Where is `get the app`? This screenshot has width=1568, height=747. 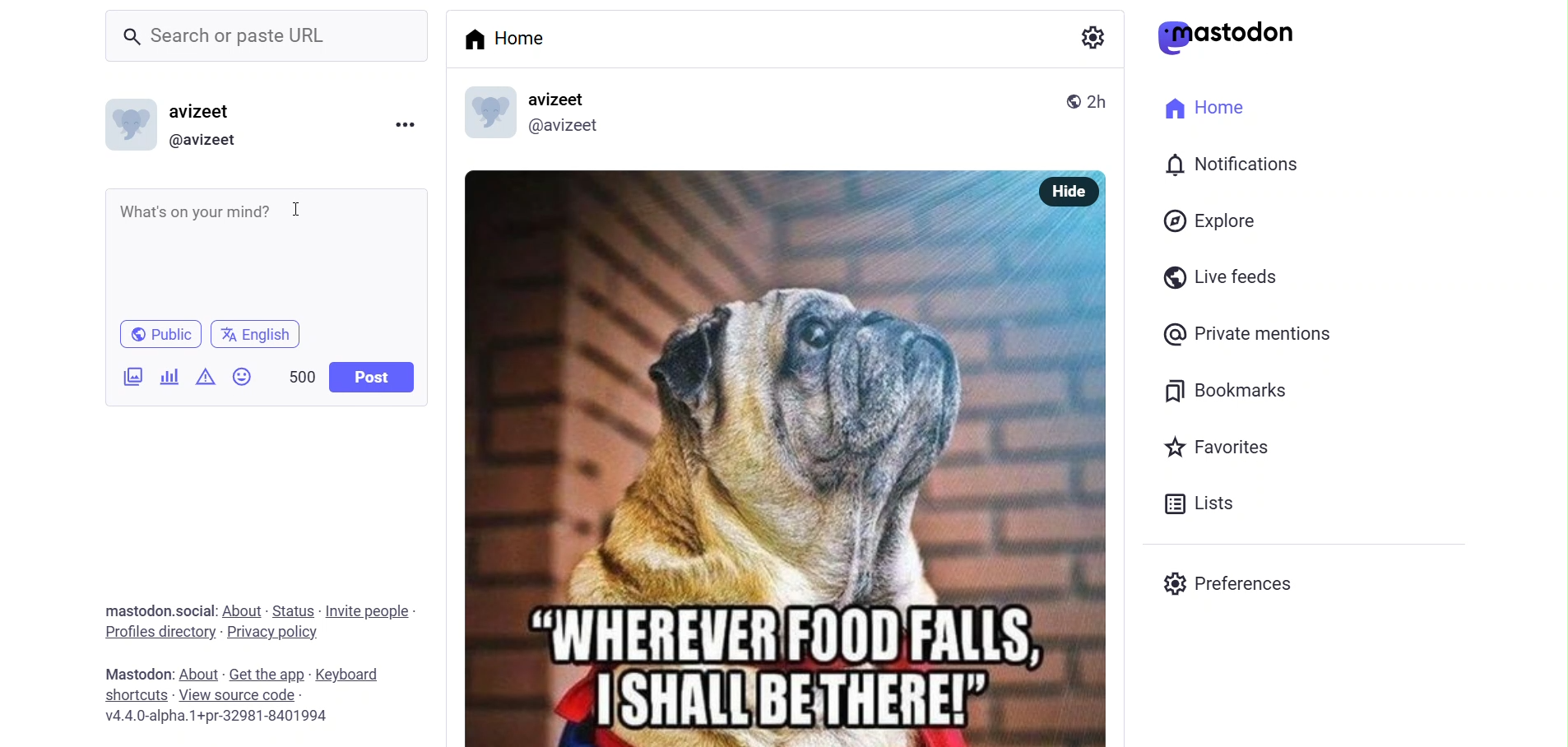
get the app is located at coordinates (262, 672).